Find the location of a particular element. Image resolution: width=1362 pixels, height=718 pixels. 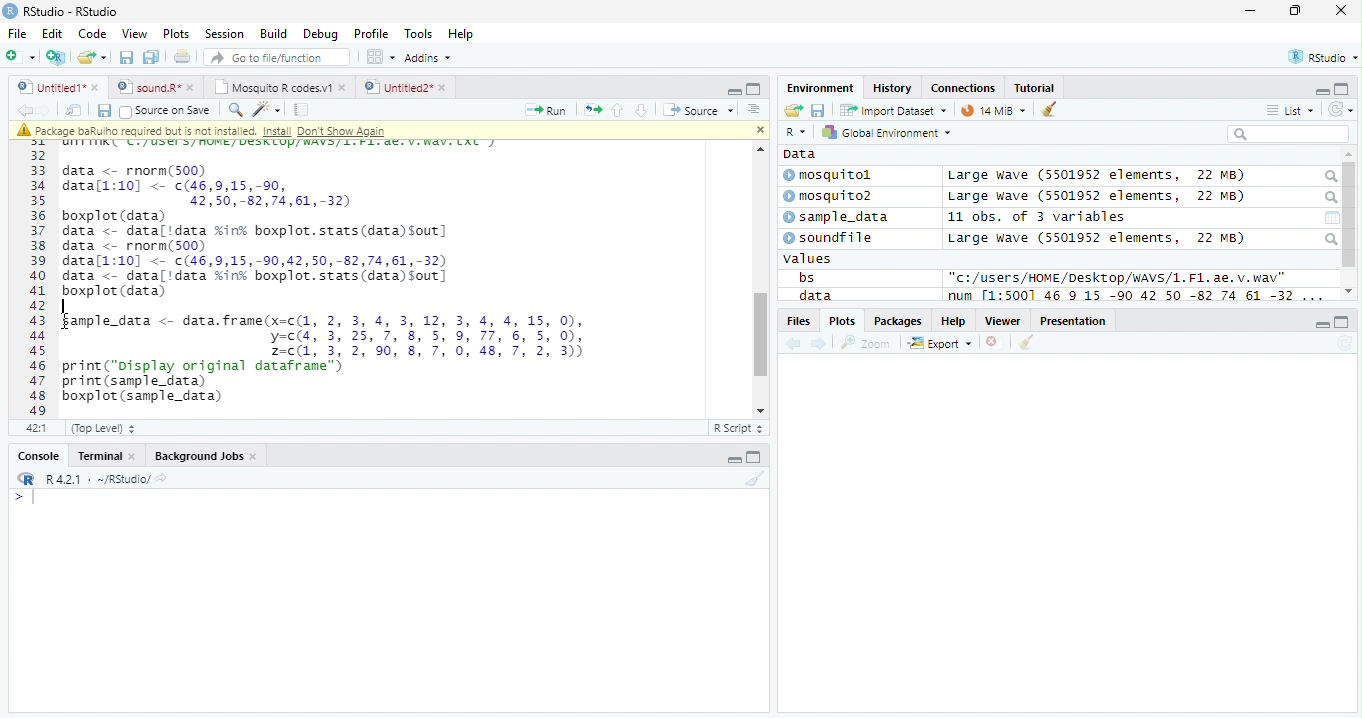

Files is located at coordinates (797, 321).